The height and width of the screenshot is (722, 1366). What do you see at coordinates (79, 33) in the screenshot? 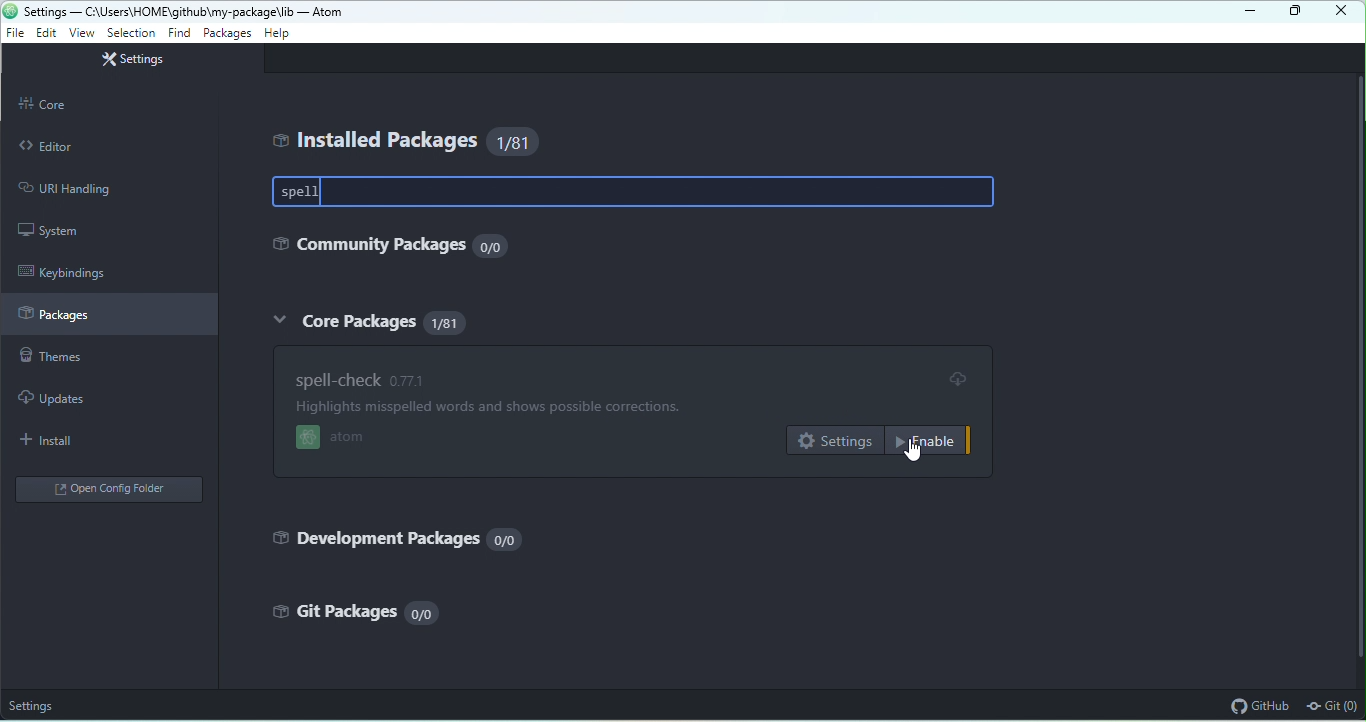
I see `view` at bounding box center [79, 33].